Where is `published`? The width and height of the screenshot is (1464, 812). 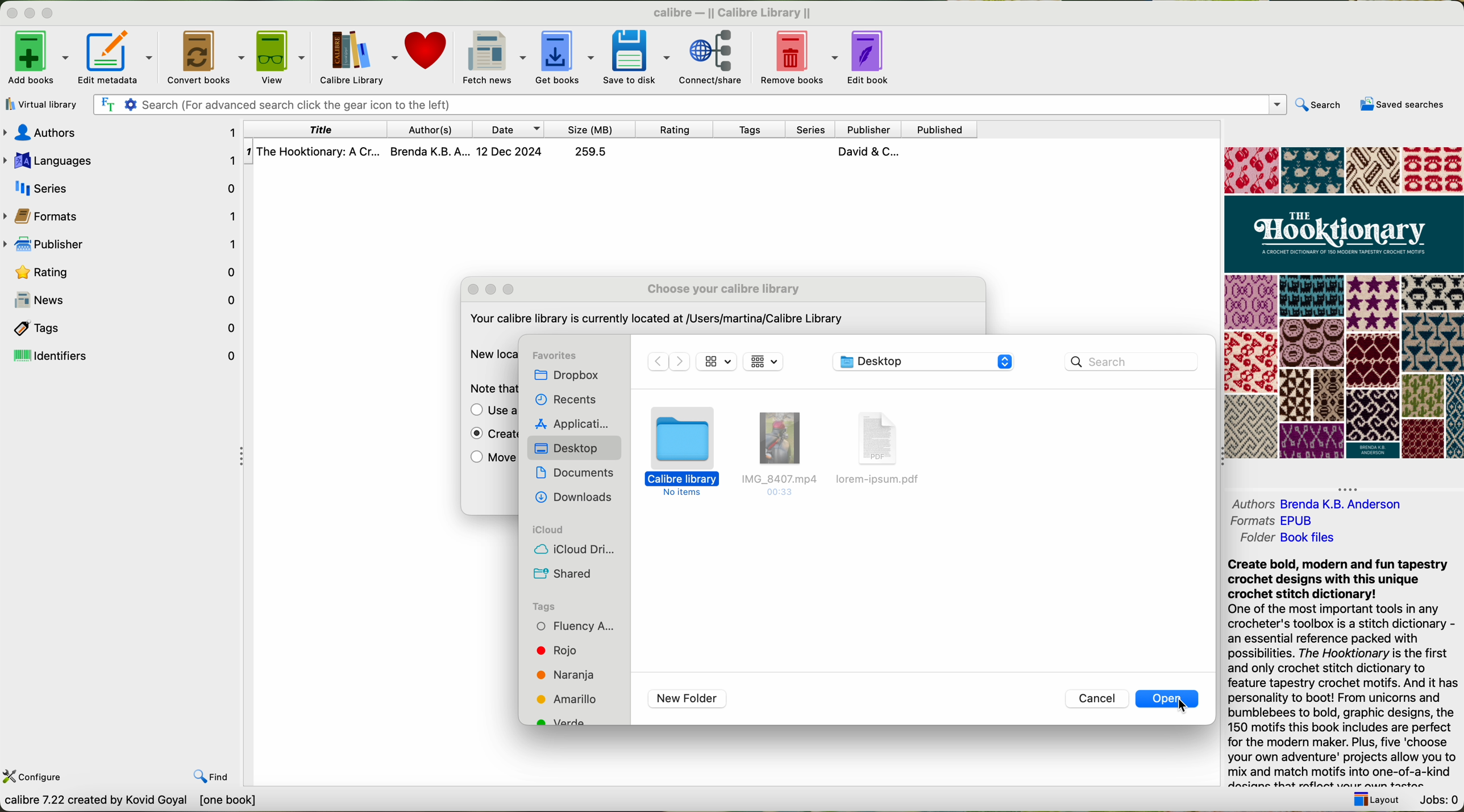 published is located at coordinates (942, 128).